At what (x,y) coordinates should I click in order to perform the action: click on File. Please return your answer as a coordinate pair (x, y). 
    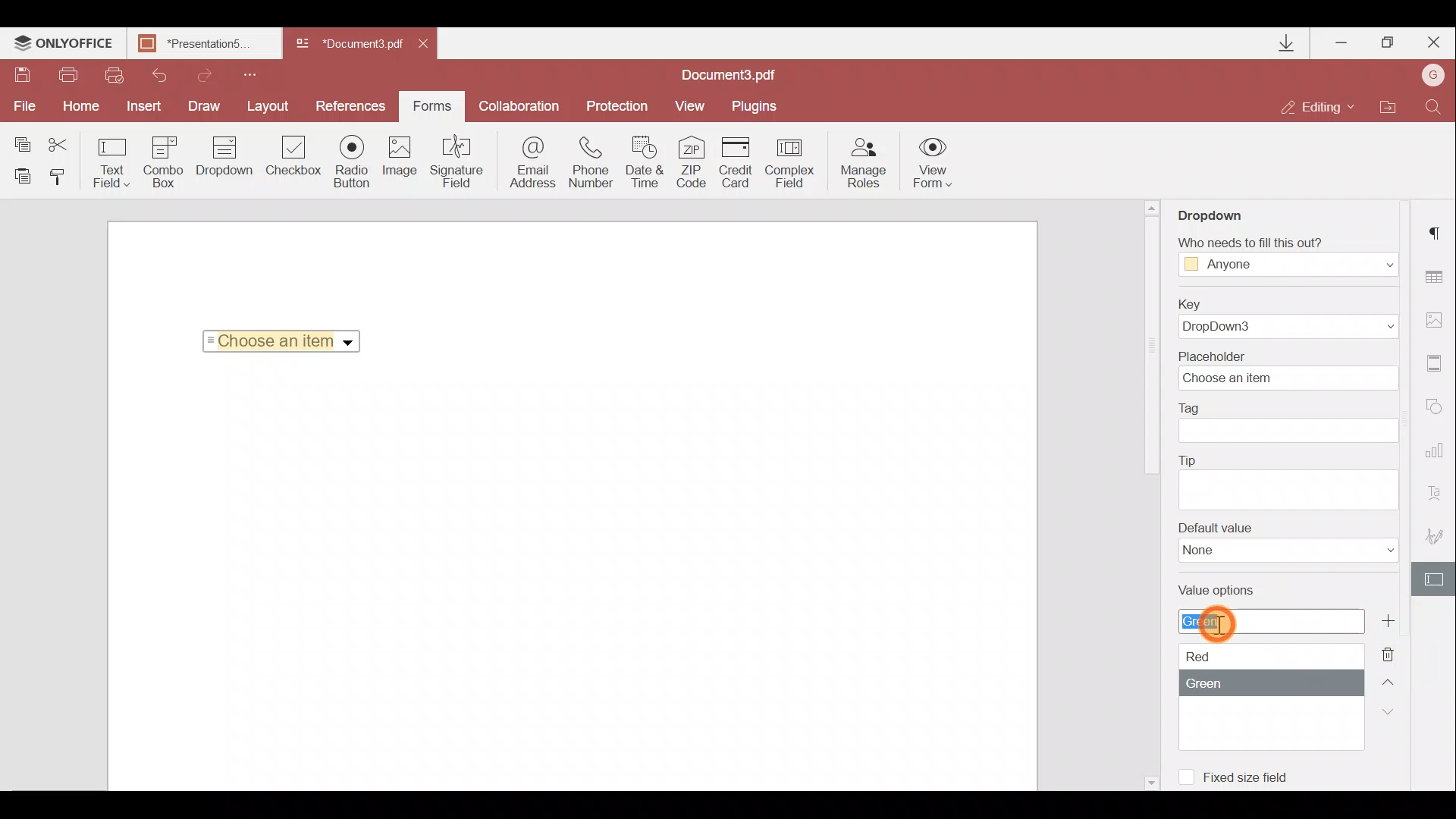
    Looking at the image, I should click on (26, 108).